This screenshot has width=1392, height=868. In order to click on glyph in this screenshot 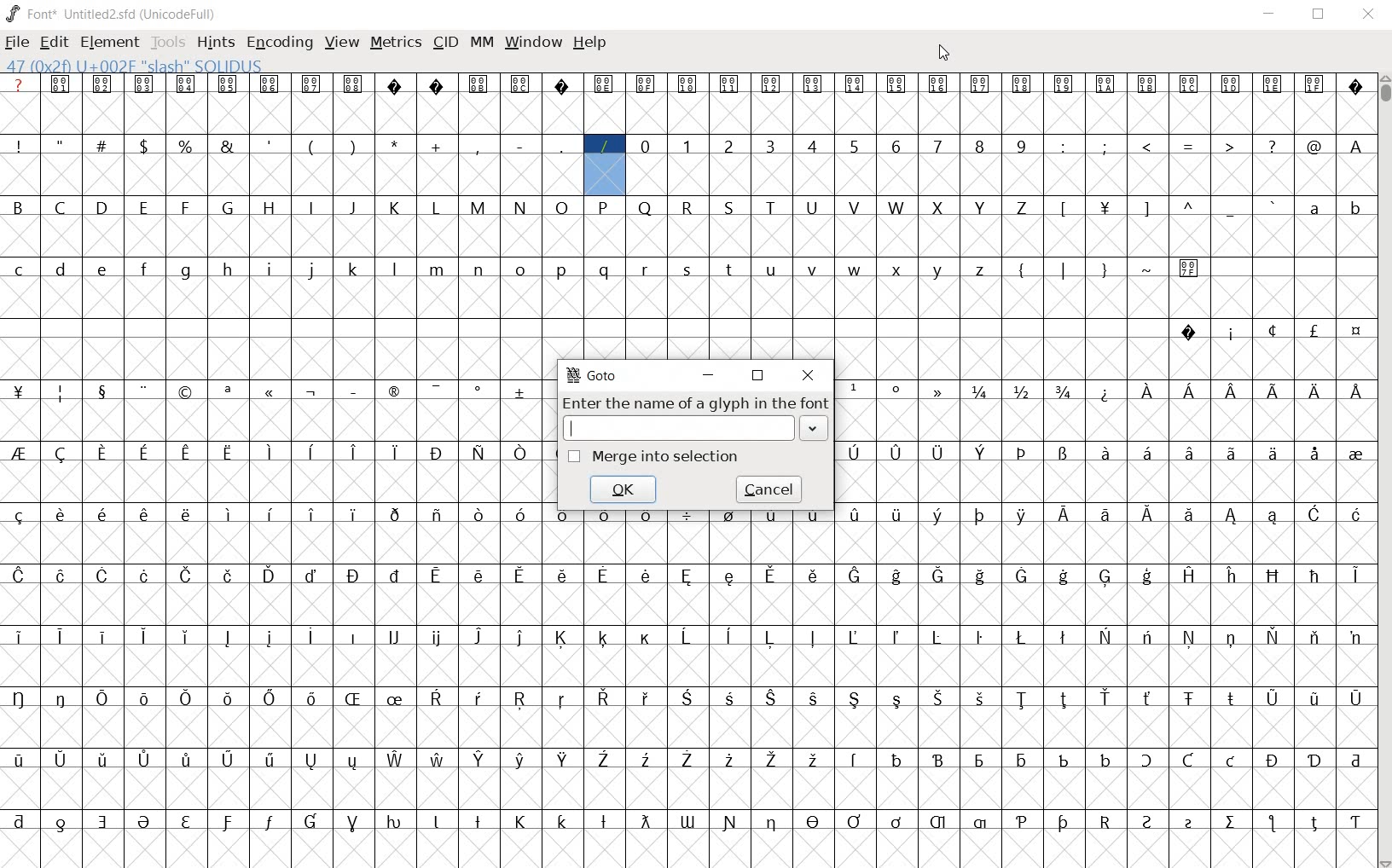, I will do `click(521, 392)`.